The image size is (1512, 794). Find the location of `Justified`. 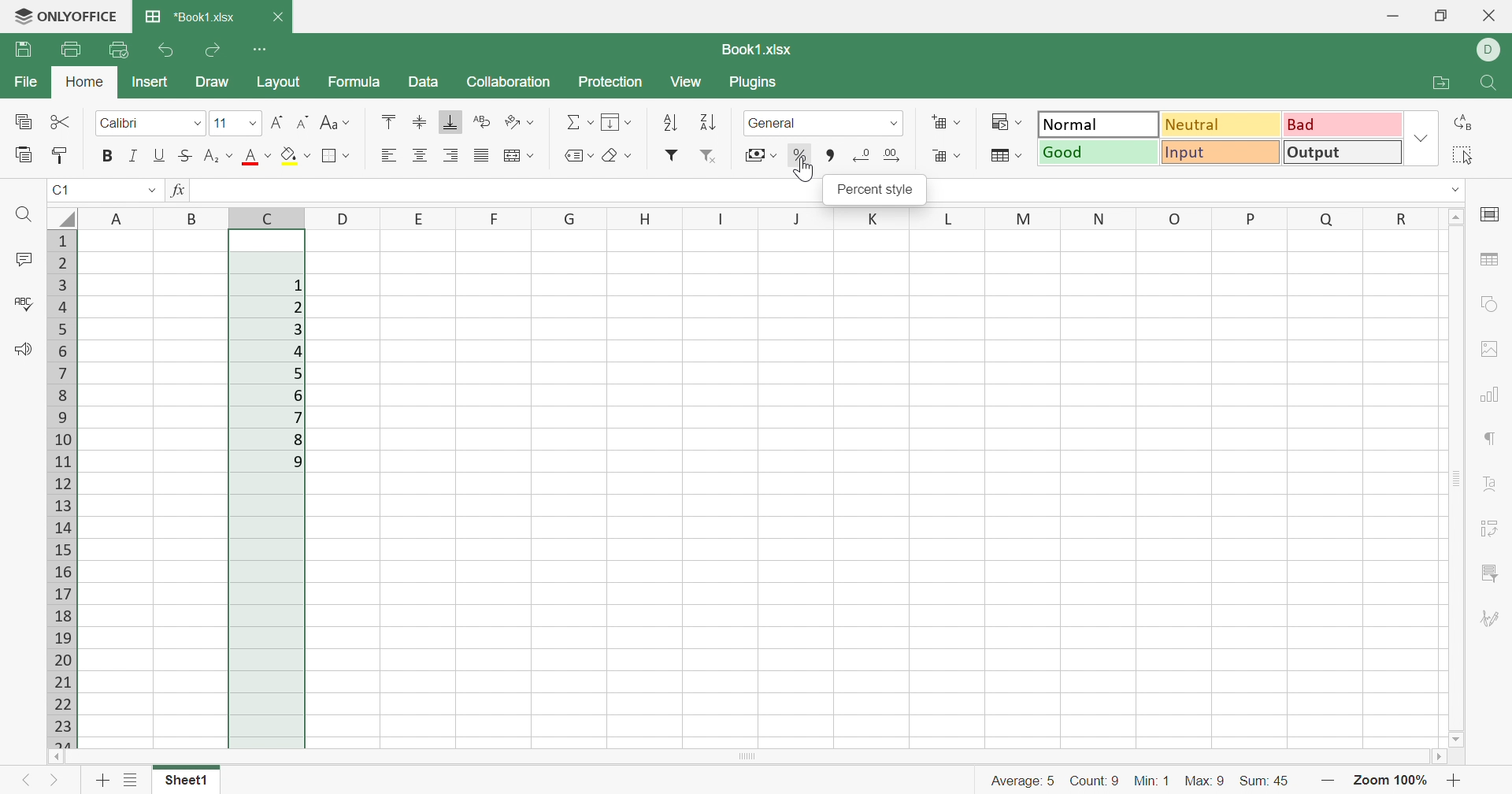

Justified is located at coordinates (484, 155).